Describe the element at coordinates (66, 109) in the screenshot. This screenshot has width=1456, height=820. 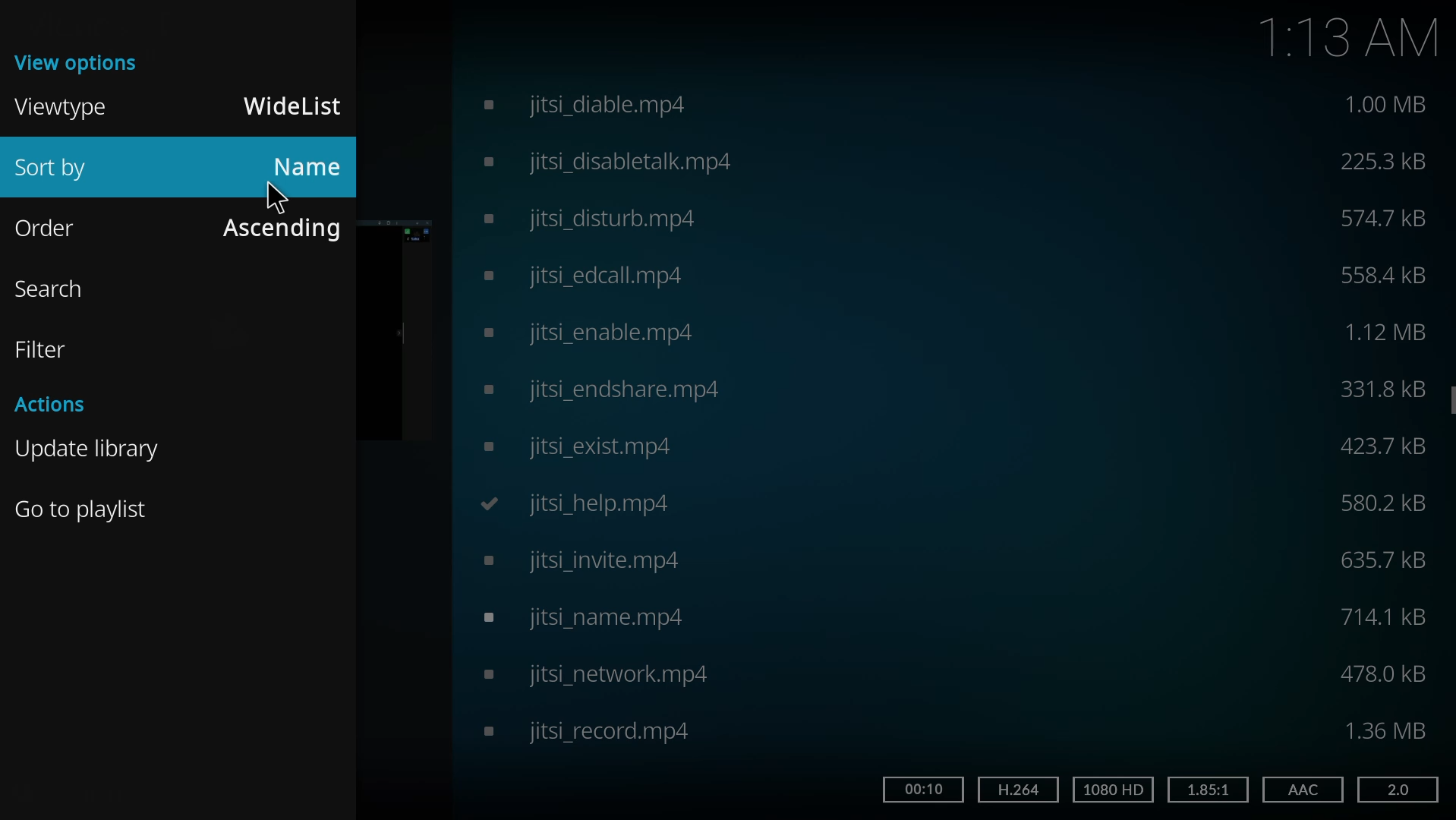
I see `viewtype` at that location.